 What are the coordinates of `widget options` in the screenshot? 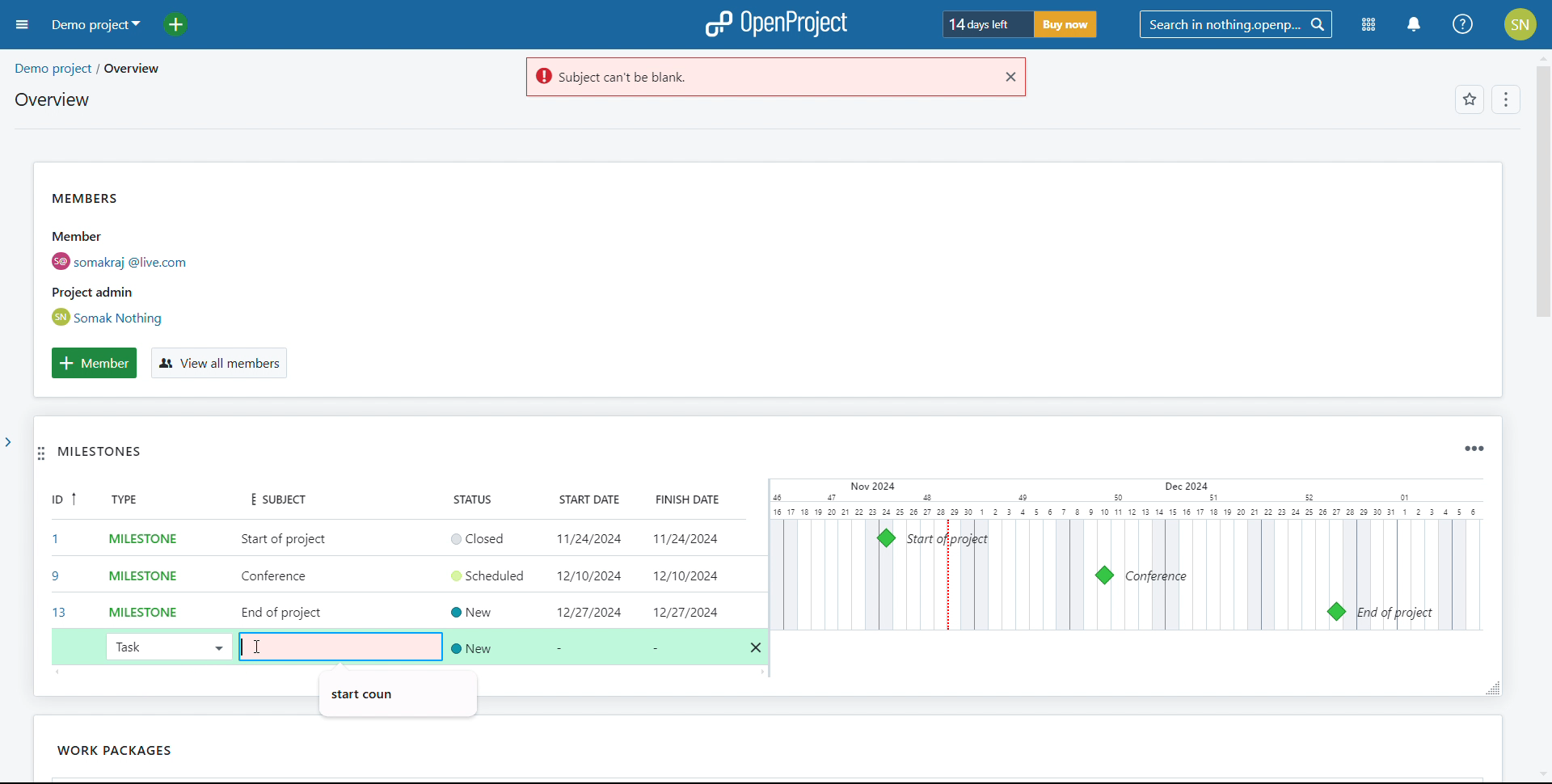 It's located at (1472, 449).